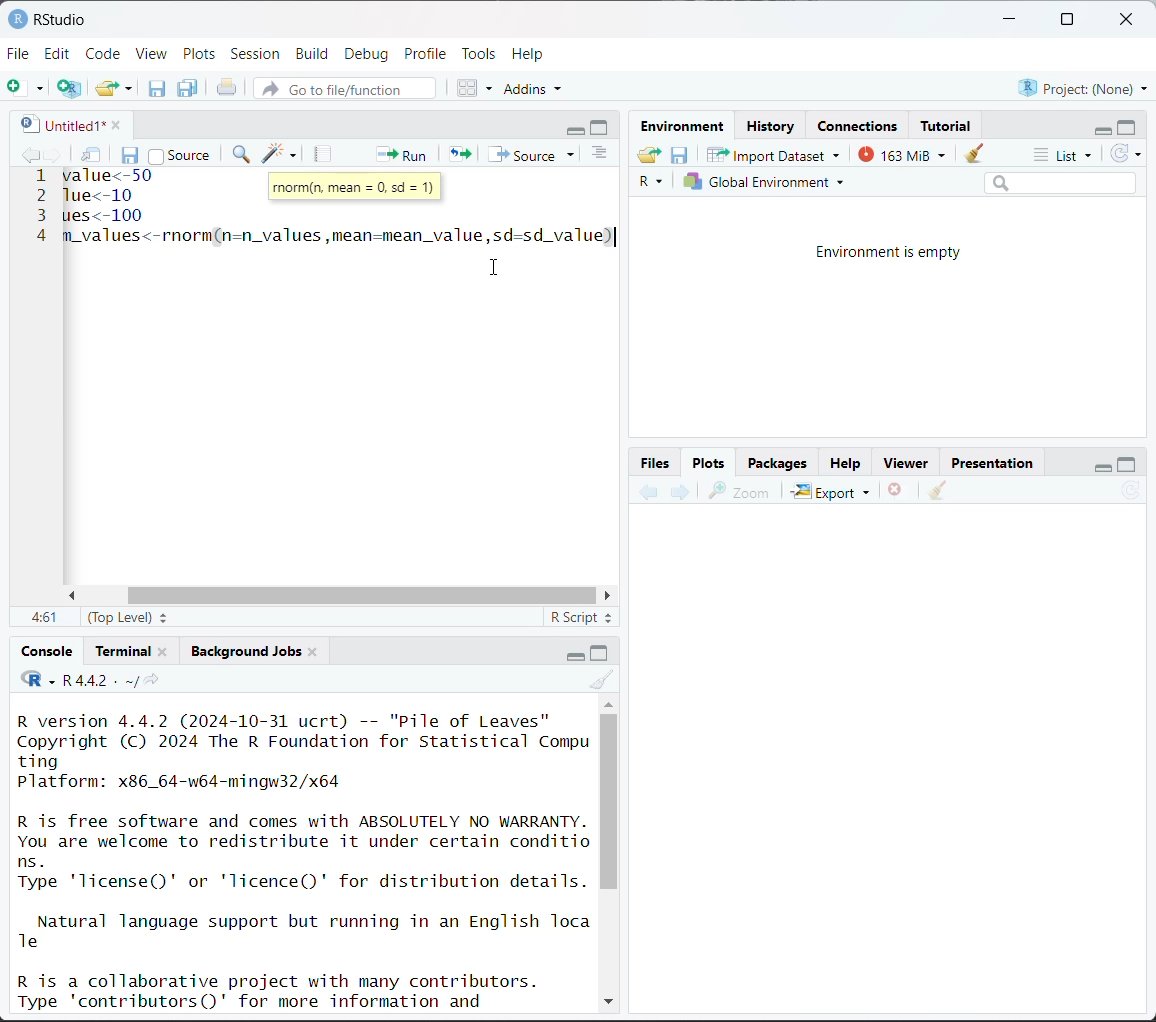  What do you see at coordinates (47, 18) in the screenshot?
I see `RStudio` at bounding box center [47, 18].